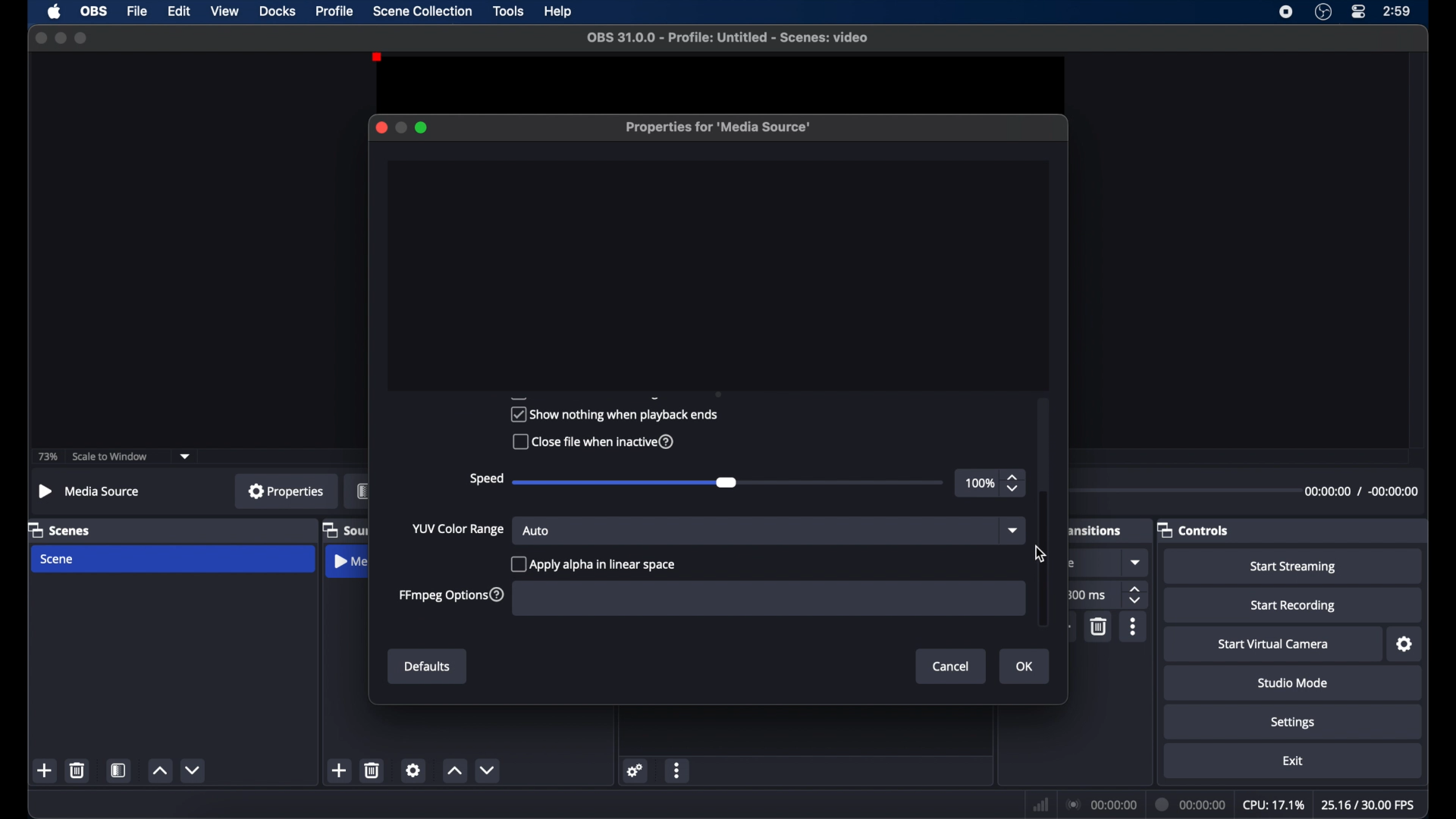  What do you see at coordinates (1287, 12) in the screenshot?
I see `screen recorder icon` at bounding box center [1287, 12].